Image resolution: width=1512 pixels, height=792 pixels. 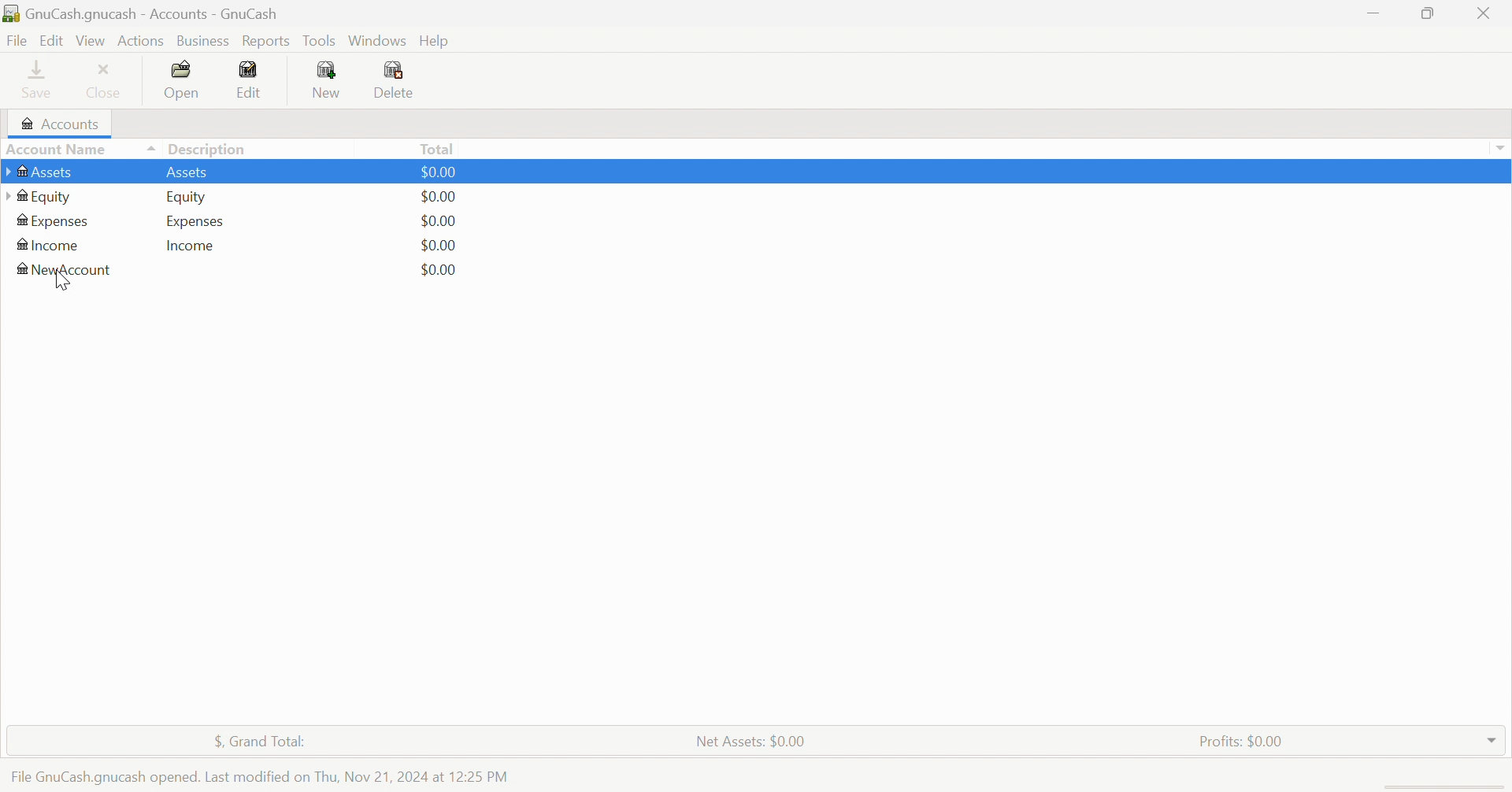 I want to click on Close, so click(x=1485, y=13).